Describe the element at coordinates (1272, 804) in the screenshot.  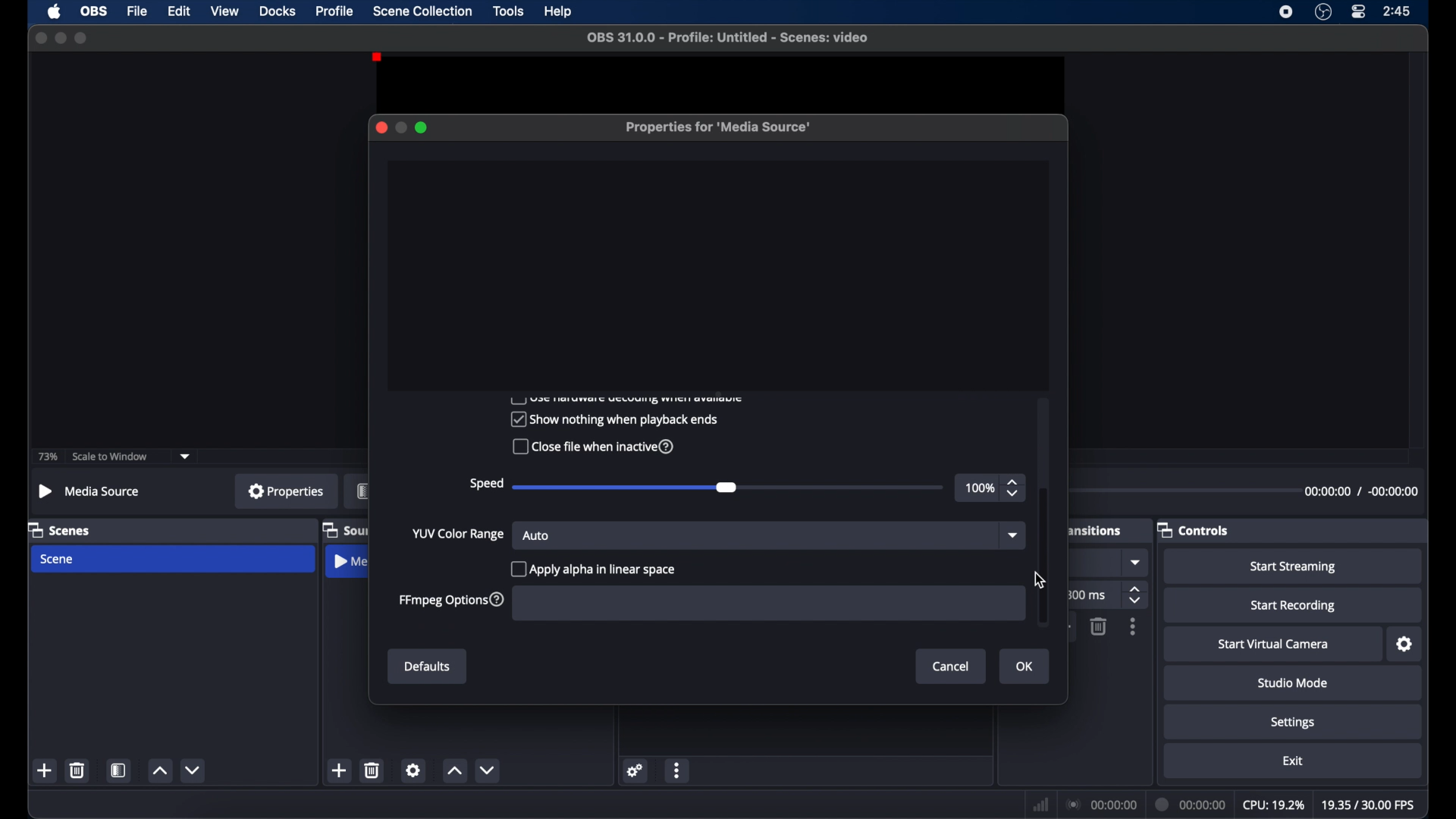
I see `cpu` at that location.